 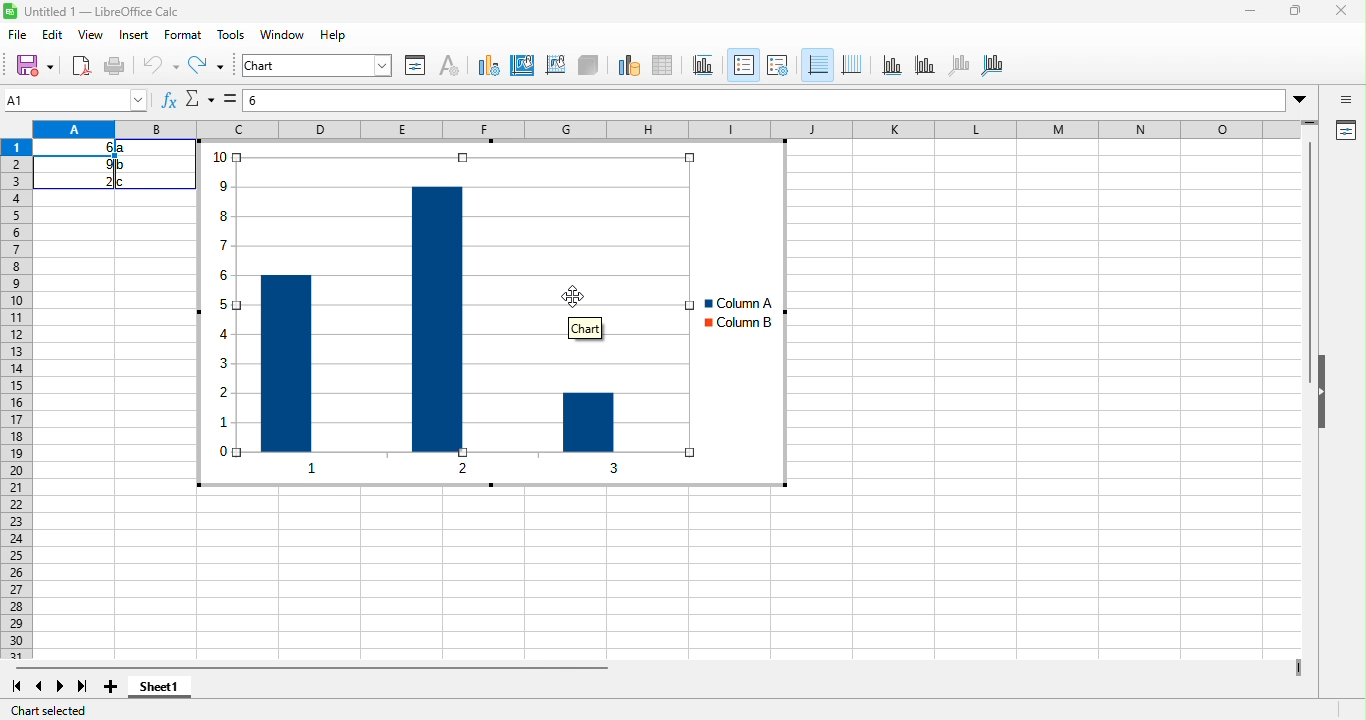 I want to click on row headings, so click(x=20, y=400).